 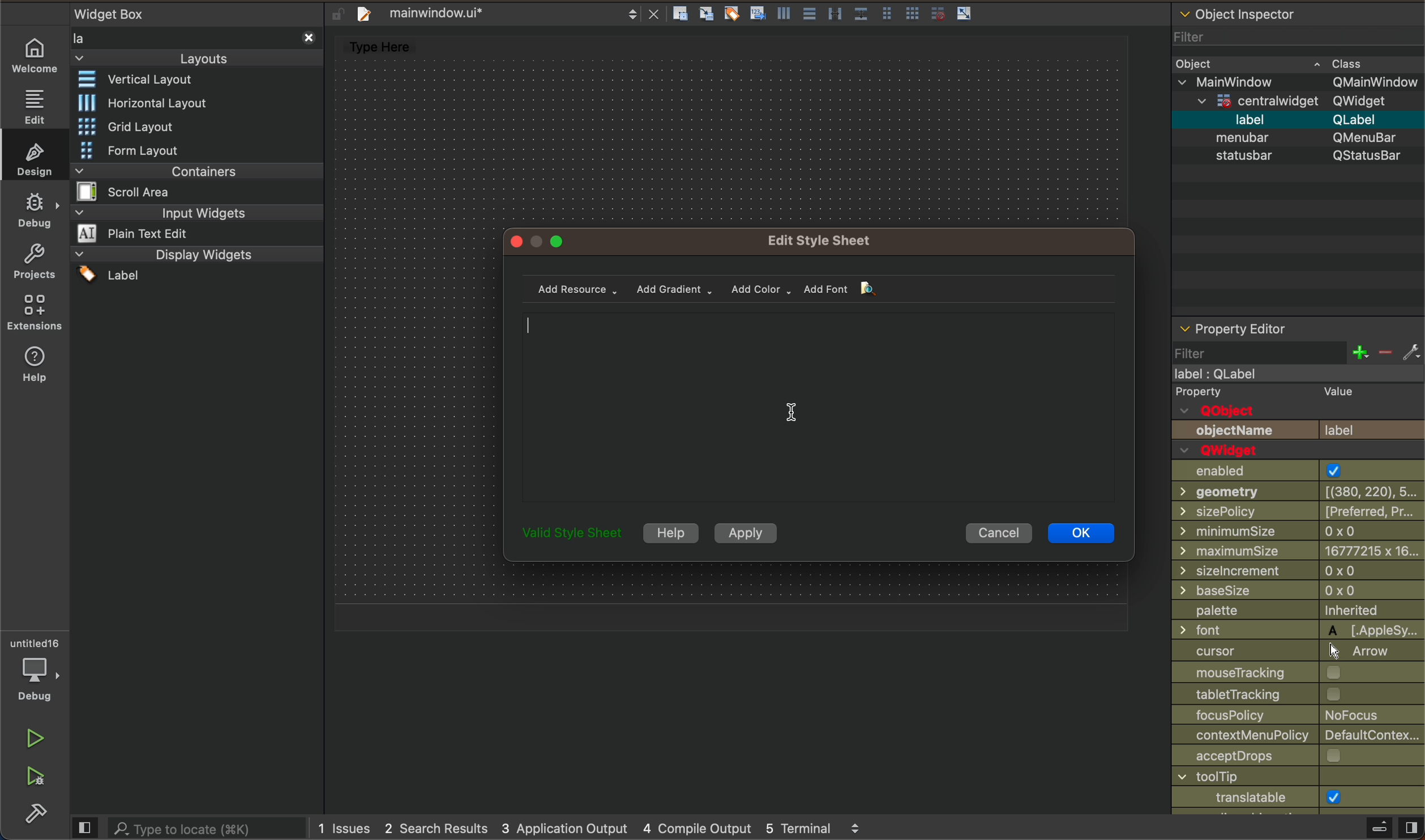 What do you see at coordinates (35, 55) in the screenshot?
I see `welcome` at bounding box center [35, 55].